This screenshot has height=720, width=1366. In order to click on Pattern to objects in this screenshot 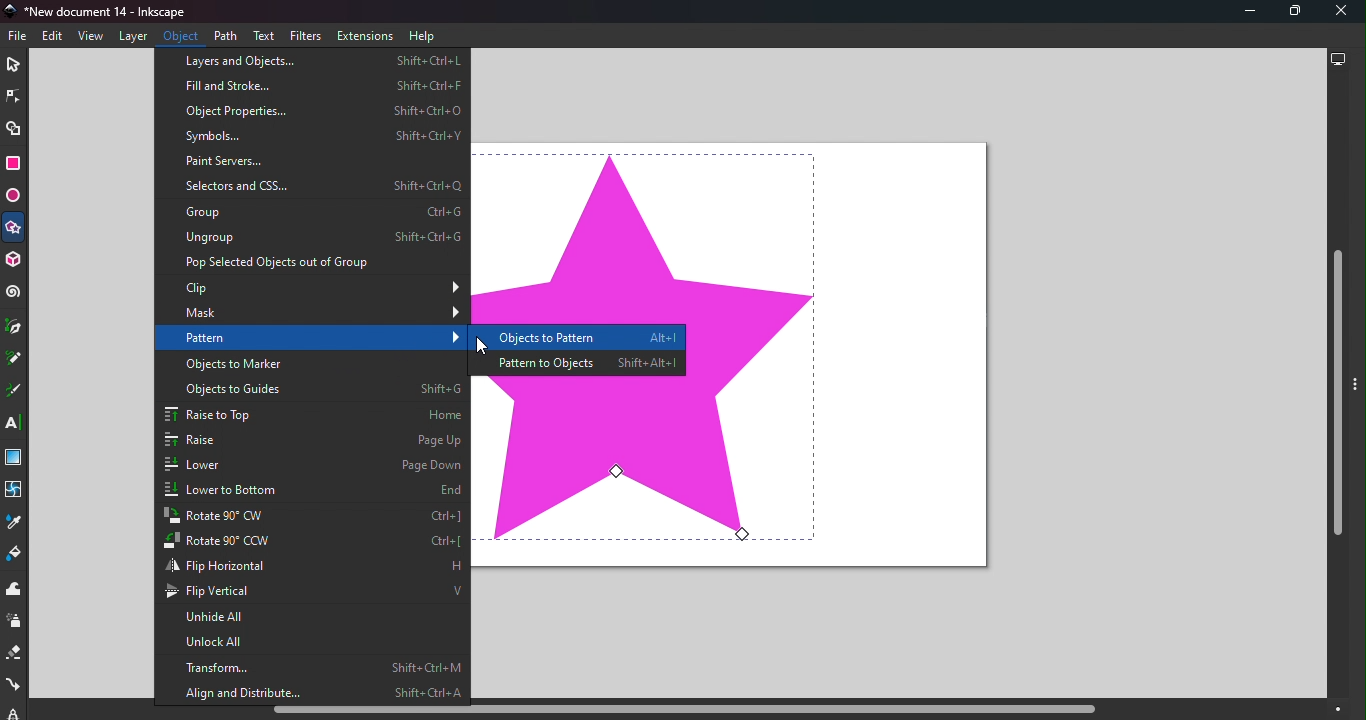, I will do `click(577, 364)`.